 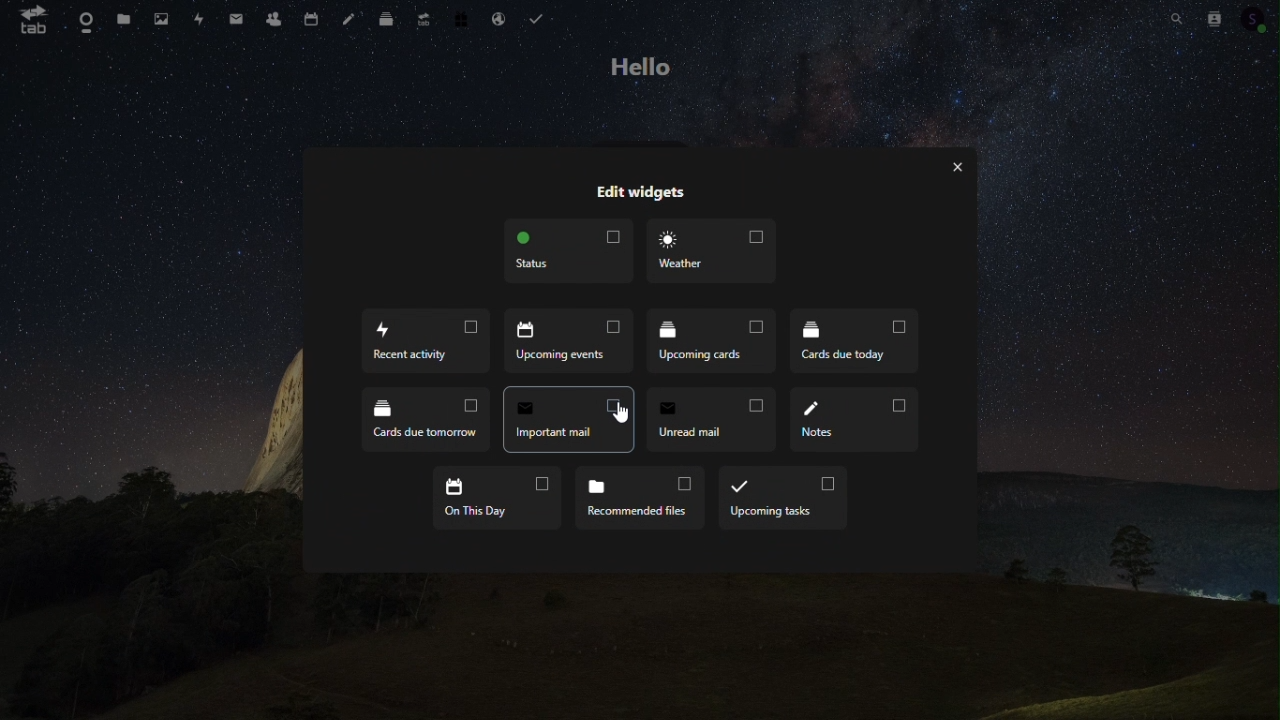 I want to click on mail, so click(x=236, y=17).